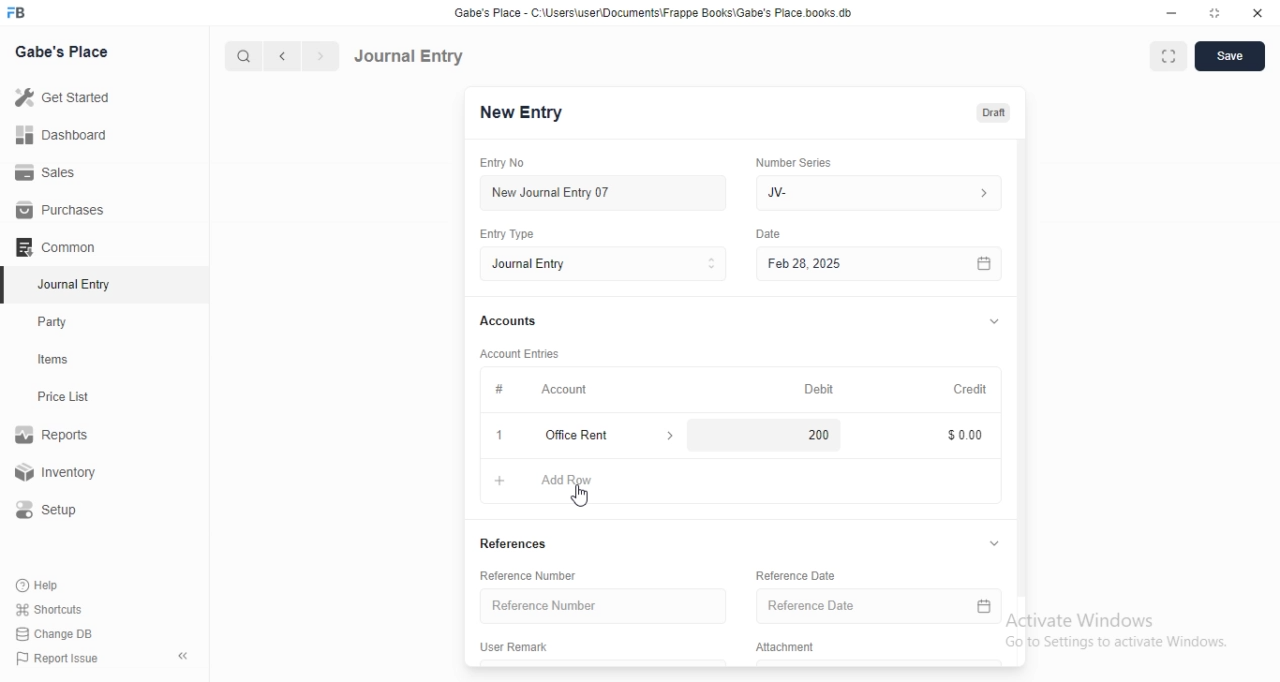 This screenshot has width=1280, height=682. What do you see at coordinates (55, 438) in the screenshot?
I see `Reports.` at bounding box center [55, 438].